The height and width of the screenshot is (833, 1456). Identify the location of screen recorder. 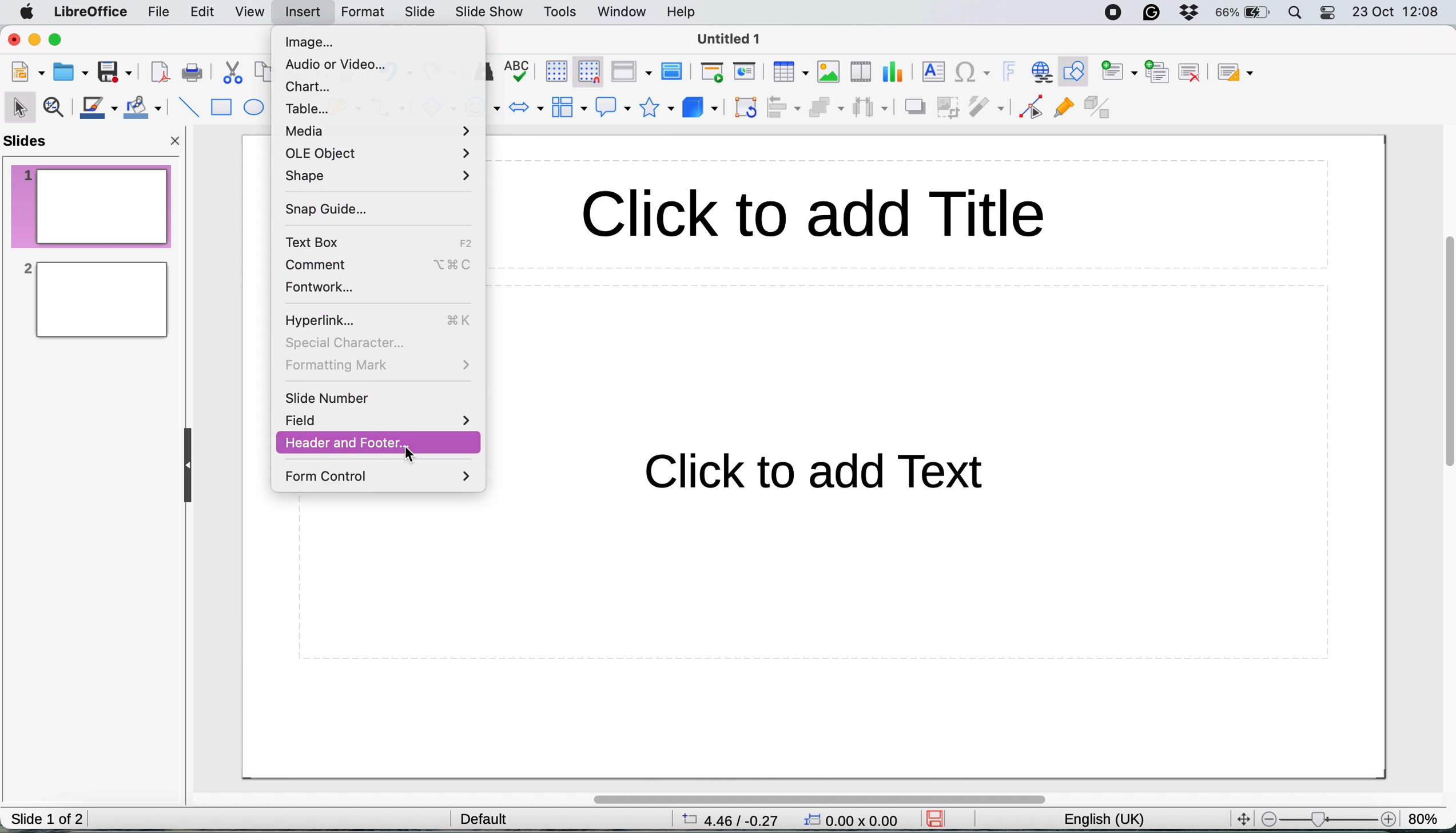
(1117, 13).